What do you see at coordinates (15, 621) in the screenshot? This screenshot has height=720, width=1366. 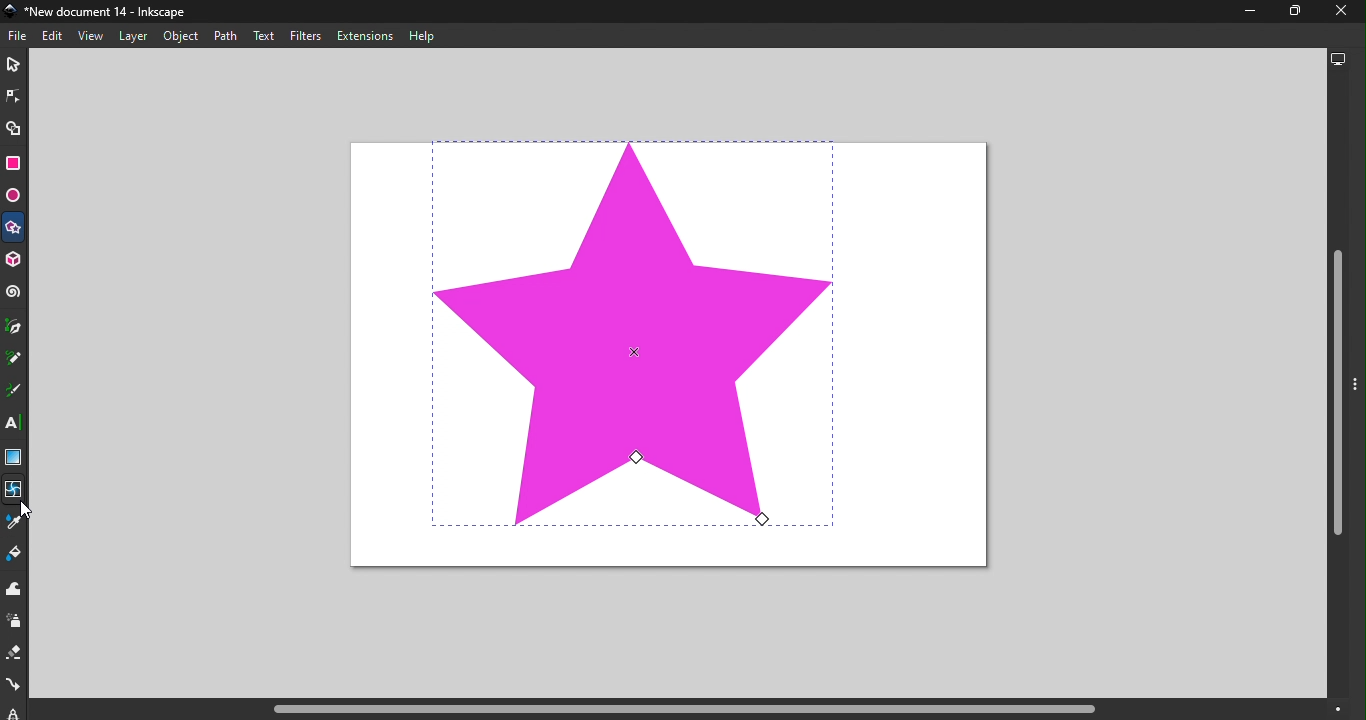 I see `Spray tool` at bounding box center [15, 621].